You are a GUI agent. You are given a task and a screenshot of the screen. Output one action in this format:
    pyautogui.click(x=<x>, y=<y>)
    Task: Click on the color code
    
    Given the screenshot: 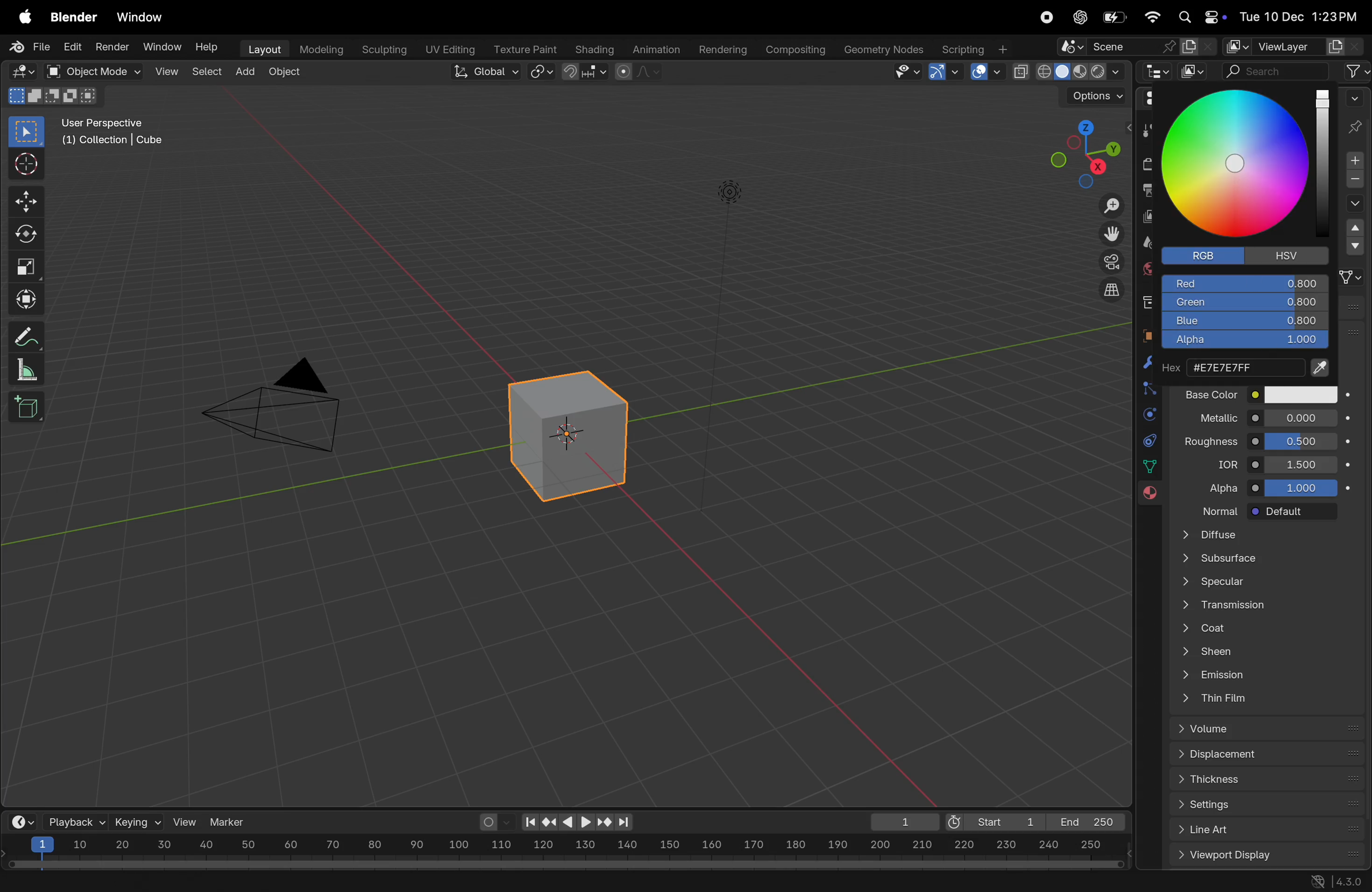 What is the action you would take?
    pyautogui.click(x=1249, y=366)
    